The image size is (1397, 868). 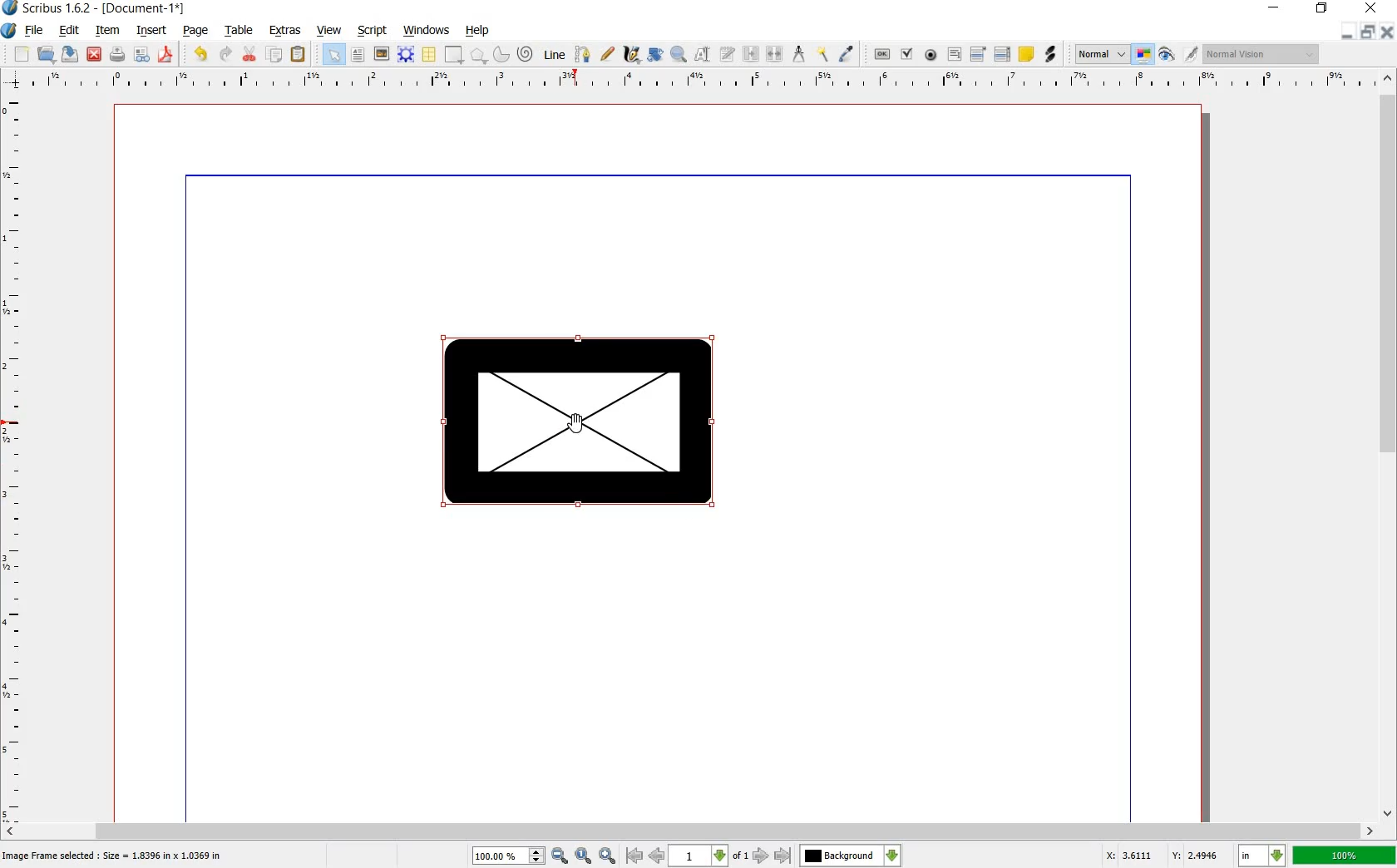 I want to click on calligraphic line, so click(x=631, y=55).